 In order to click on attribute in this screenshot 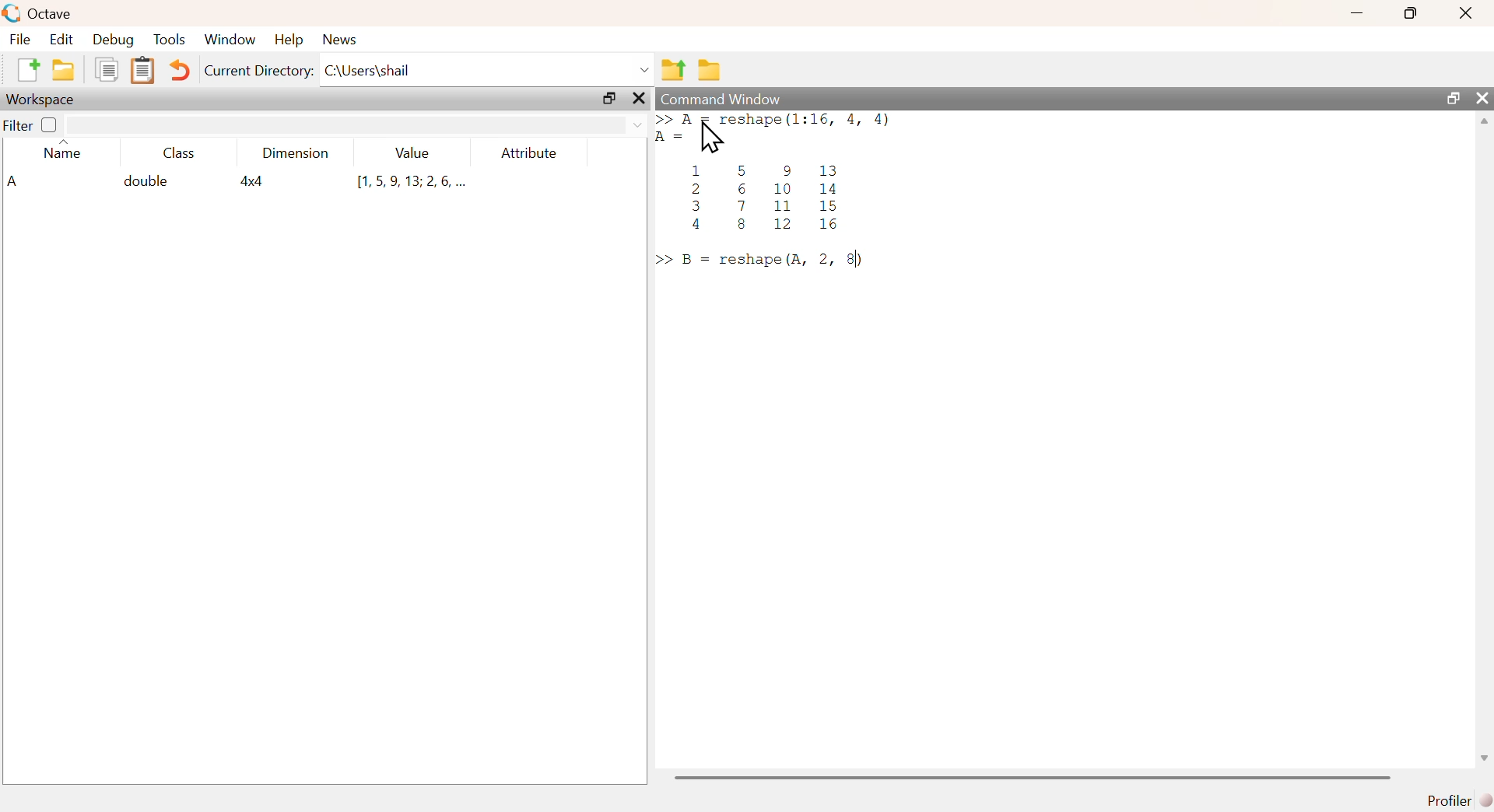, I will do `click(534, 154)`.